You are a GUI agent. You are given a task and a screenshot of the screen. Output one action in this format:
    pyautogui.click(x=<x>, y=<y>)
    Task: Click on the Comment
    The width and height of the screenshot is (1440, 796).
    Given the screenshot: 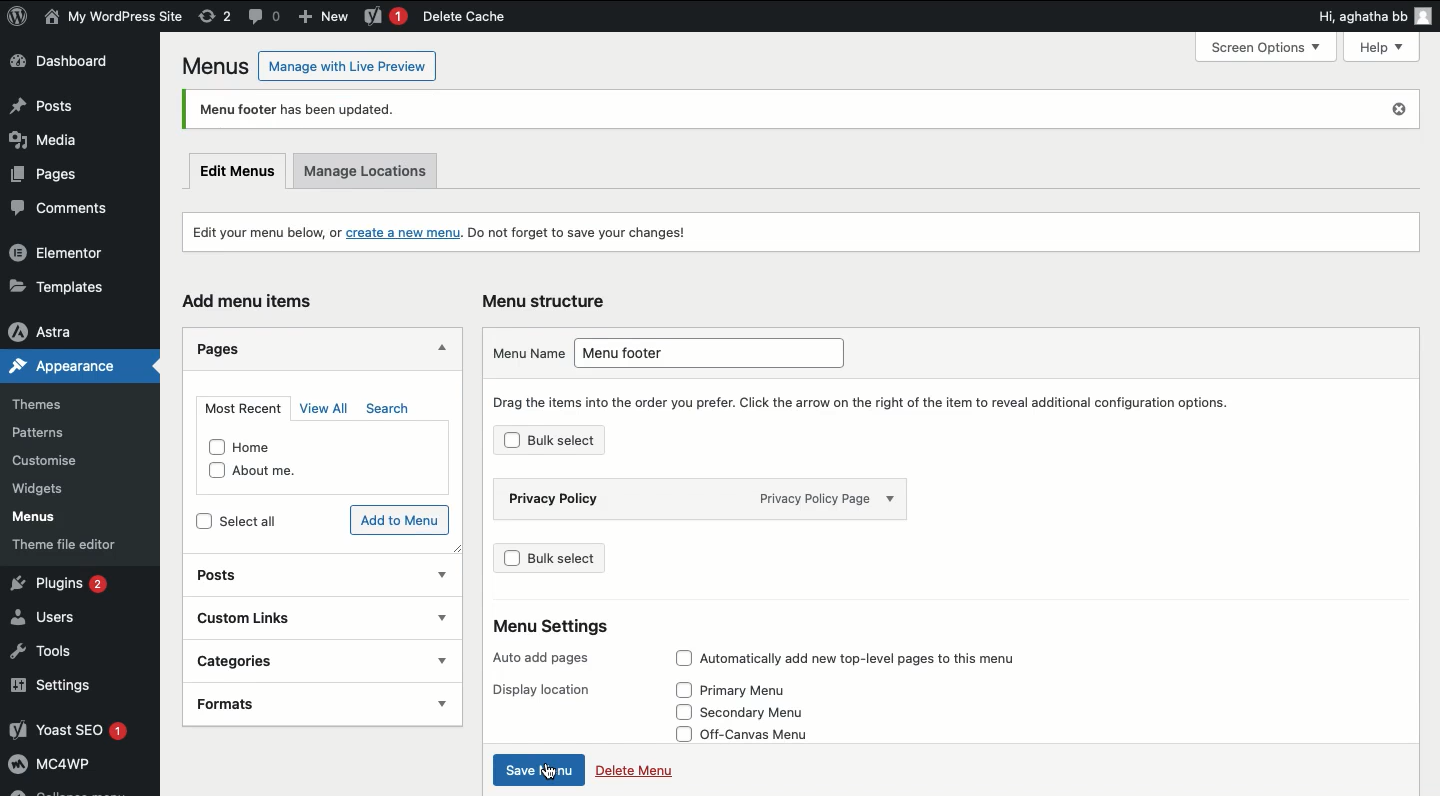 What is the action you would take?
    pyautogui.click(x=265, y=15)
    